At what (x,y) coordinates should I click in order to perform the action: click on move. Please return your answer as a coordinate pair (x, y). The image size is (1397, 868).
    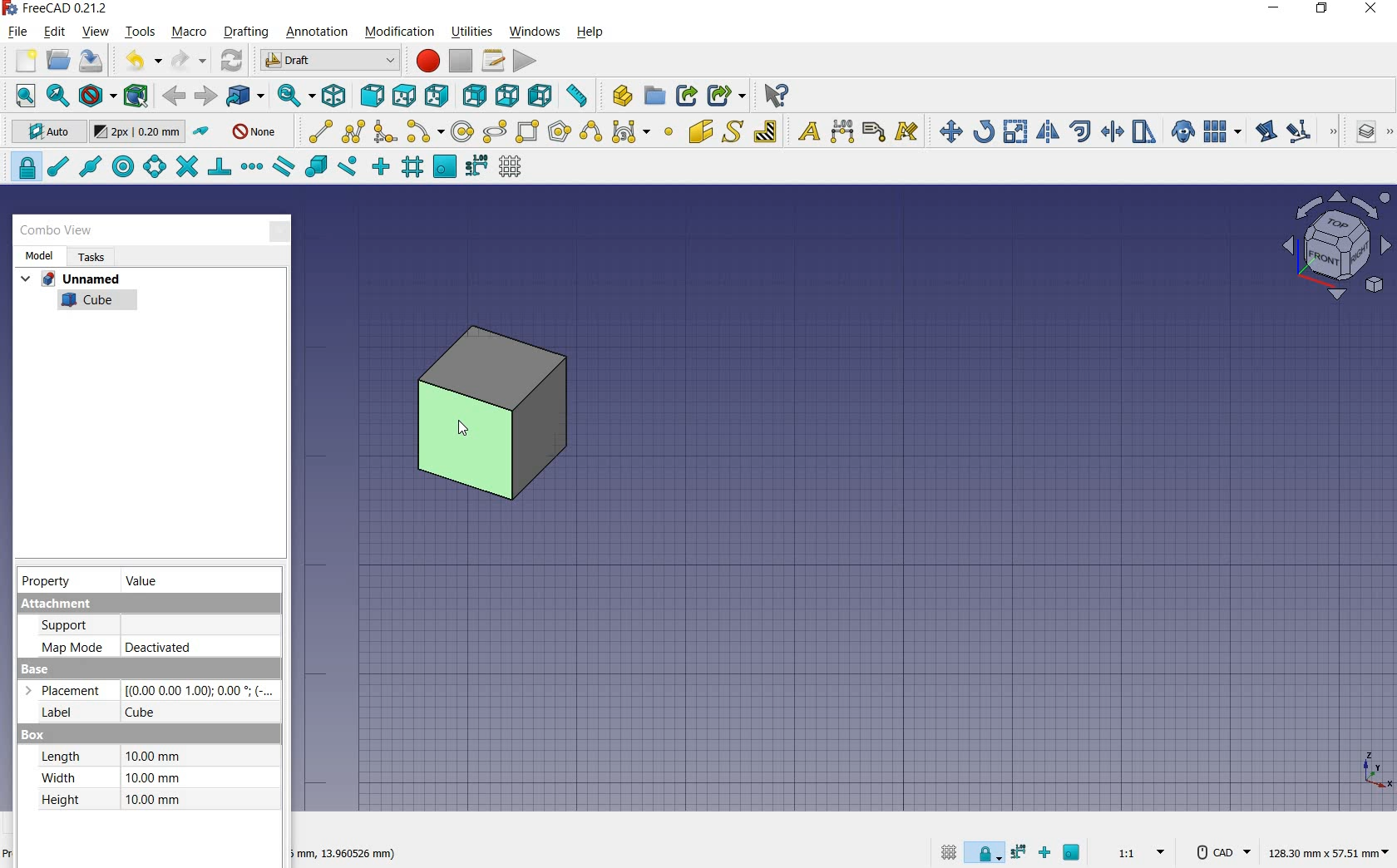
    Looking at the image, I should click on (947, 131).